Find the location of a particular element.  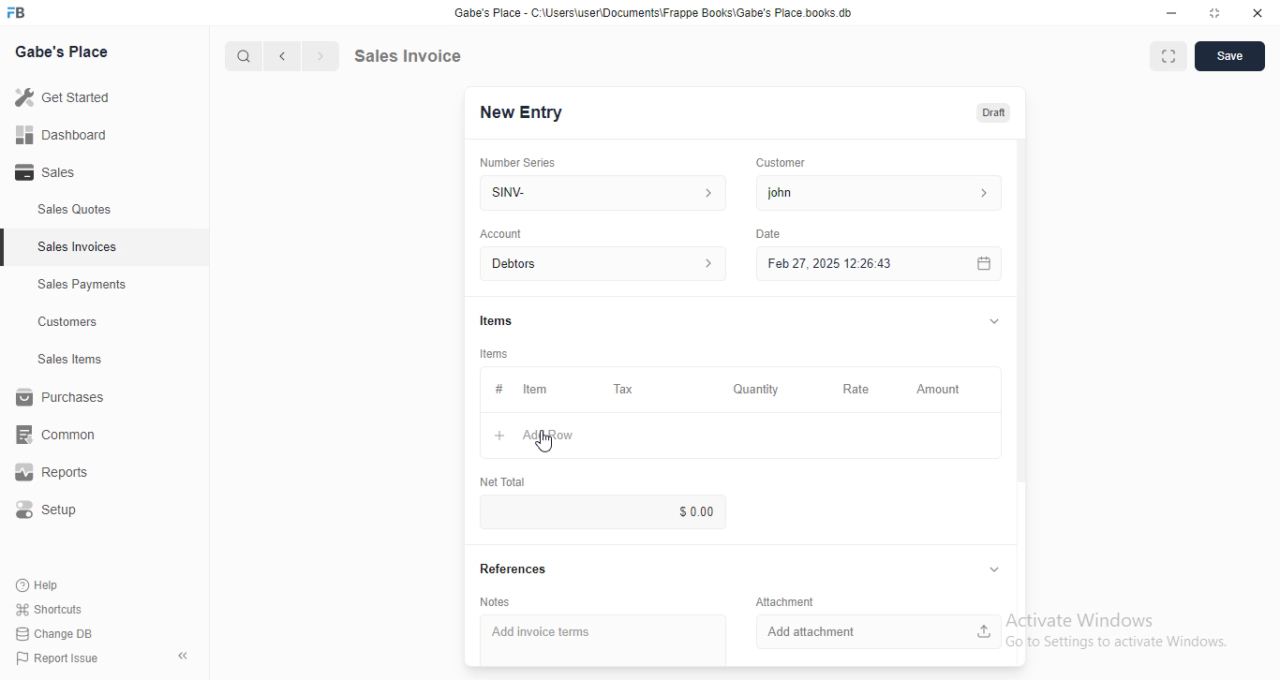

Report Issue is located at coordinates (61, 660).